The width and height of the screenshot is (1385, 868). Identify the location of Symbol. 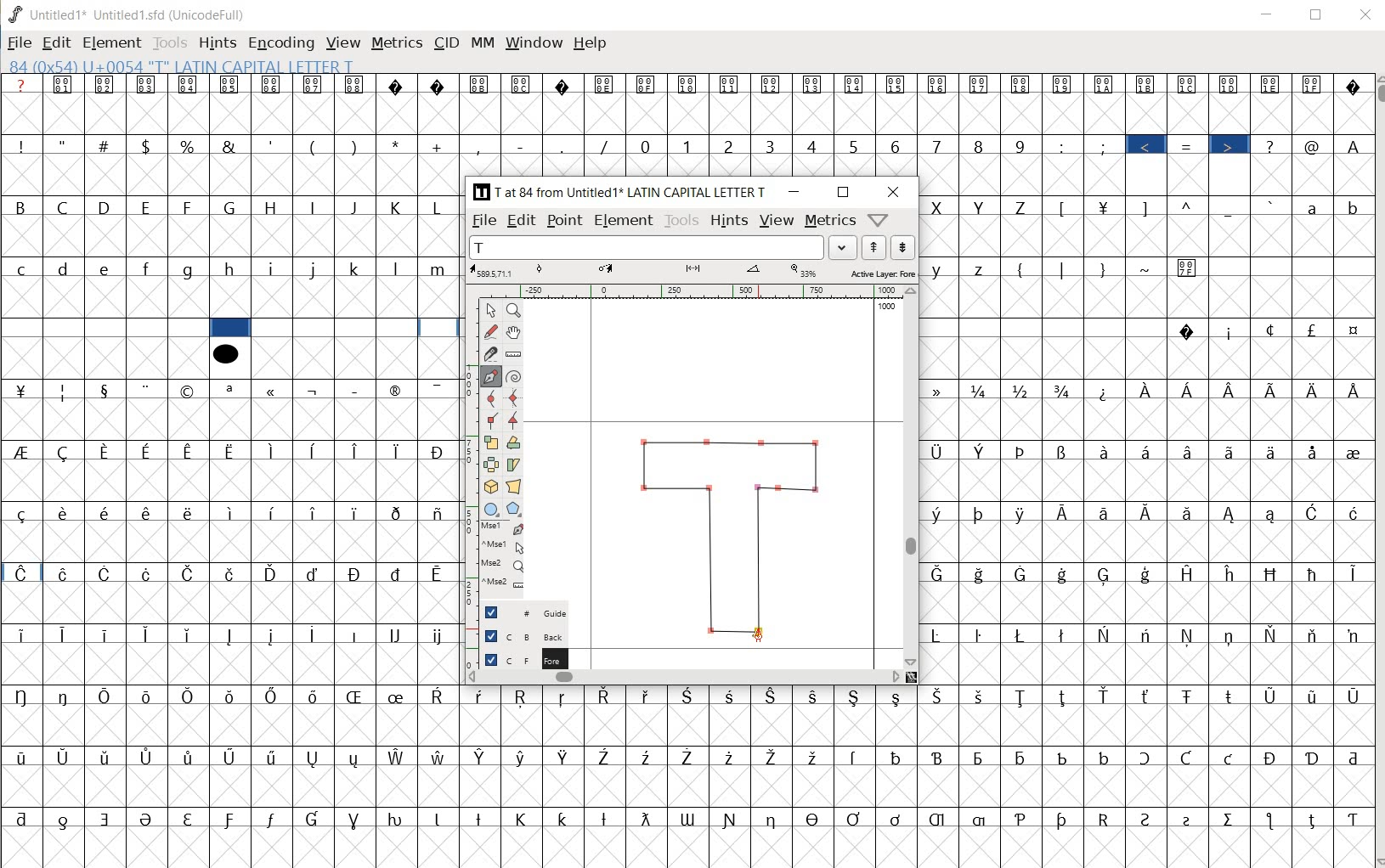
(1192, 817).